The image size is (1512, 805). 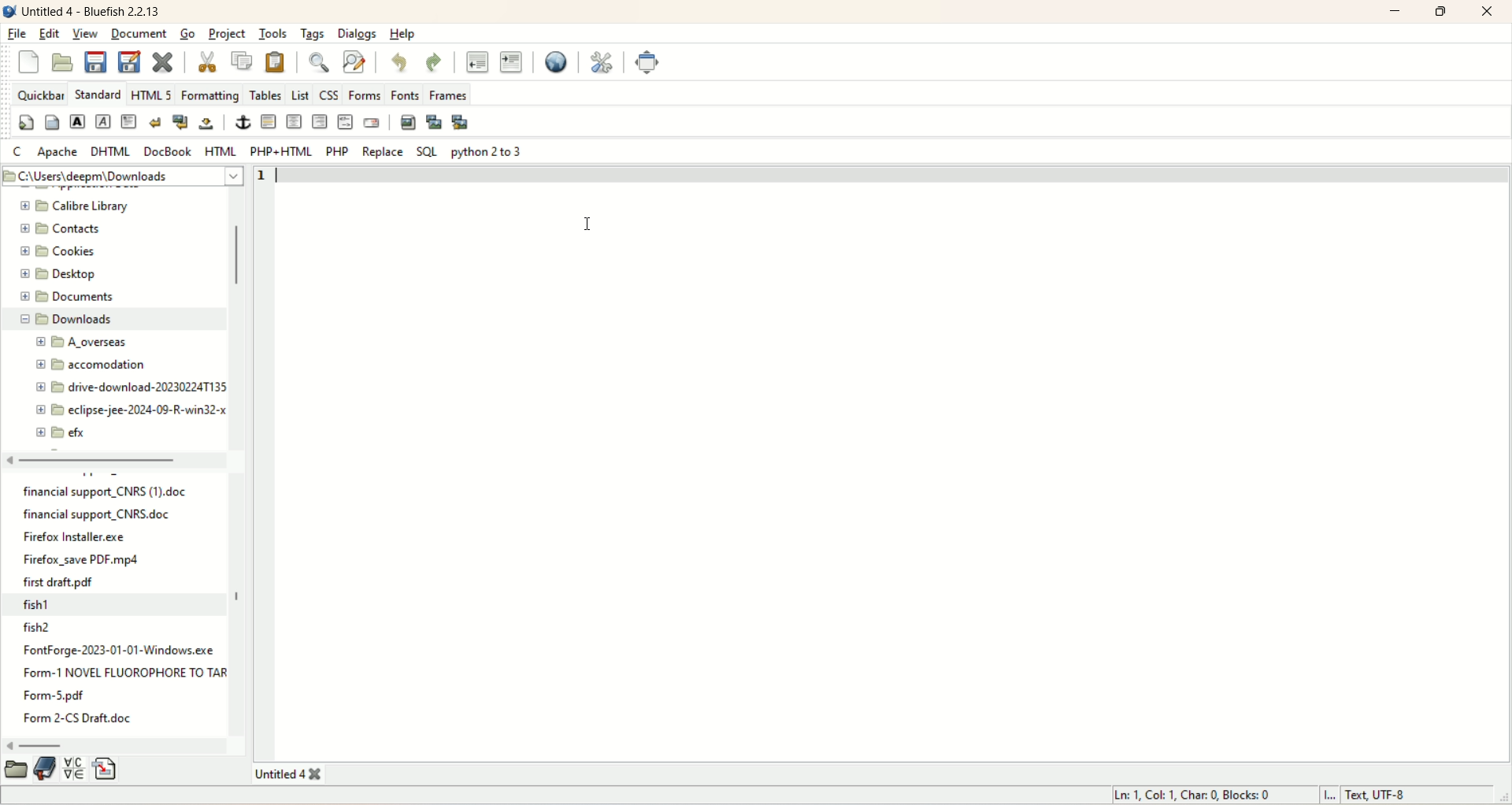 I want to click on edit preferences, so click(x=602, y=57).